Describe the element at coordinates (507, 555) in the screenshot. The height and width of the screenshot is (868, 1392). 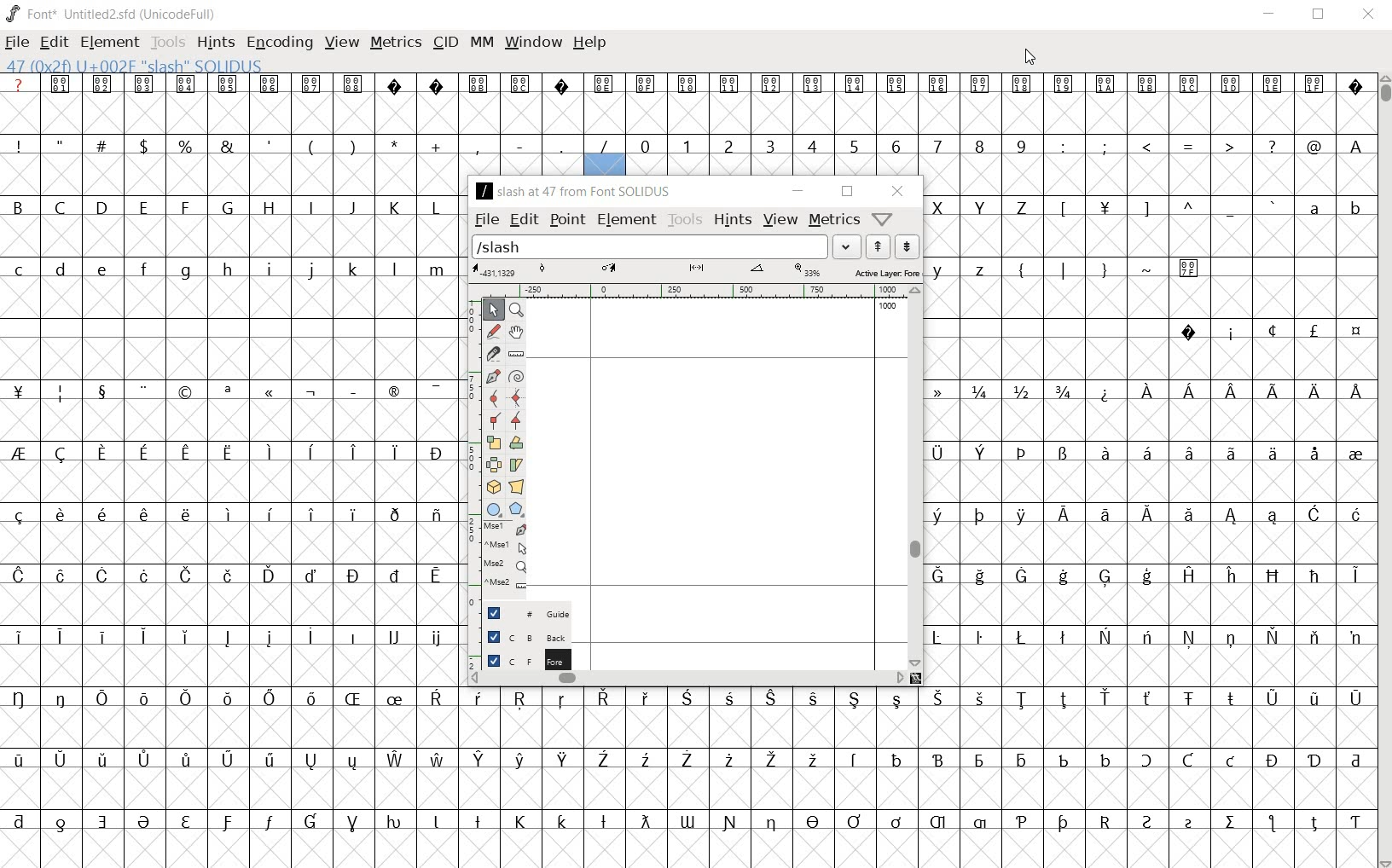
I see `mse1 mse1 mse2 mse2` at that location.